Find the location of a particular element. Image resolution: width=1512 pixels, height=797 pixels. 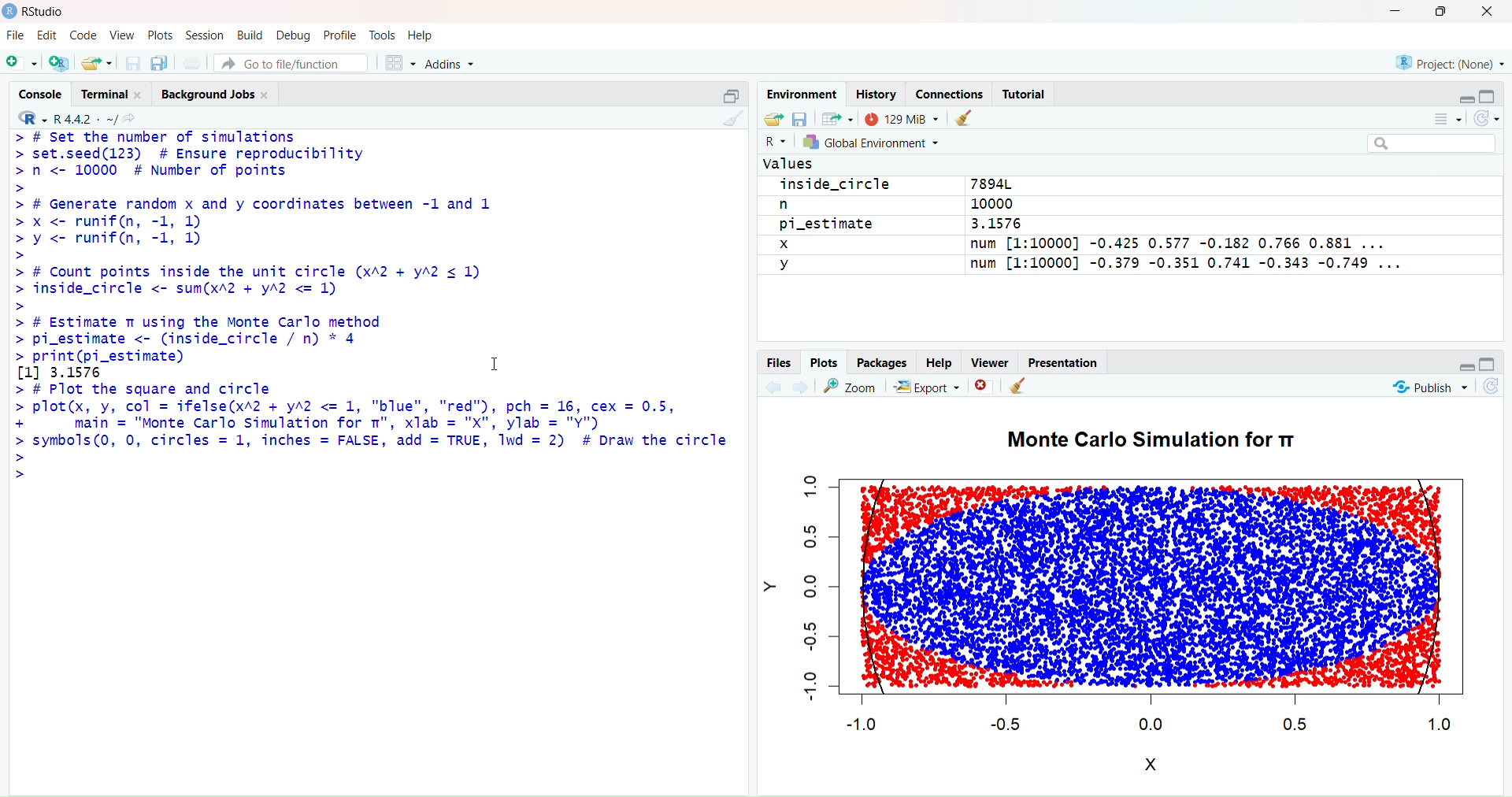

Files is located at coordinates (780, 363).